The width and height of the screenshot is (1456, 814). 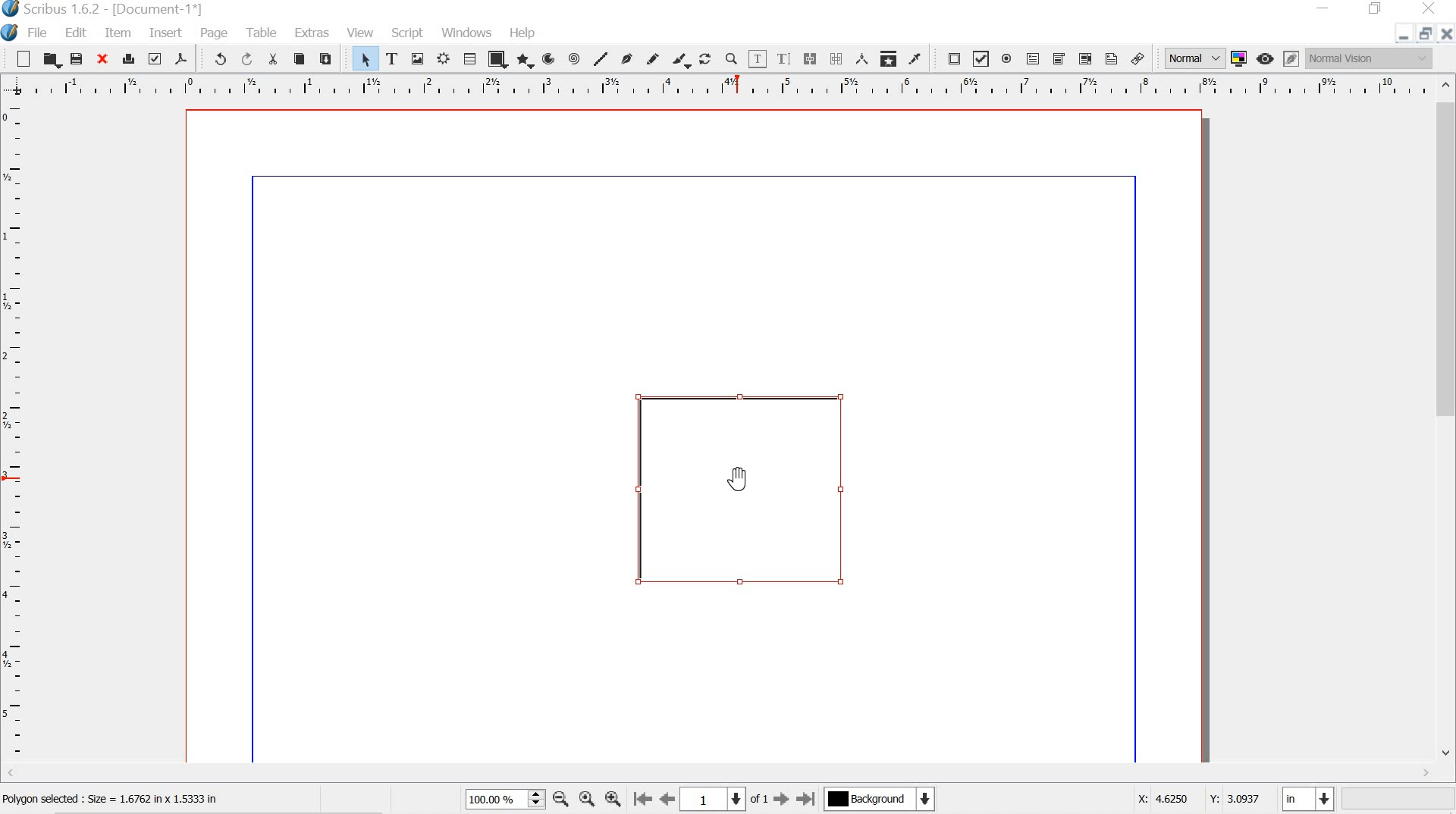 What do you see at coordinates (757, 59) in the screenshot?
I see `edit contents of frame` at bounding box center [757, 59].